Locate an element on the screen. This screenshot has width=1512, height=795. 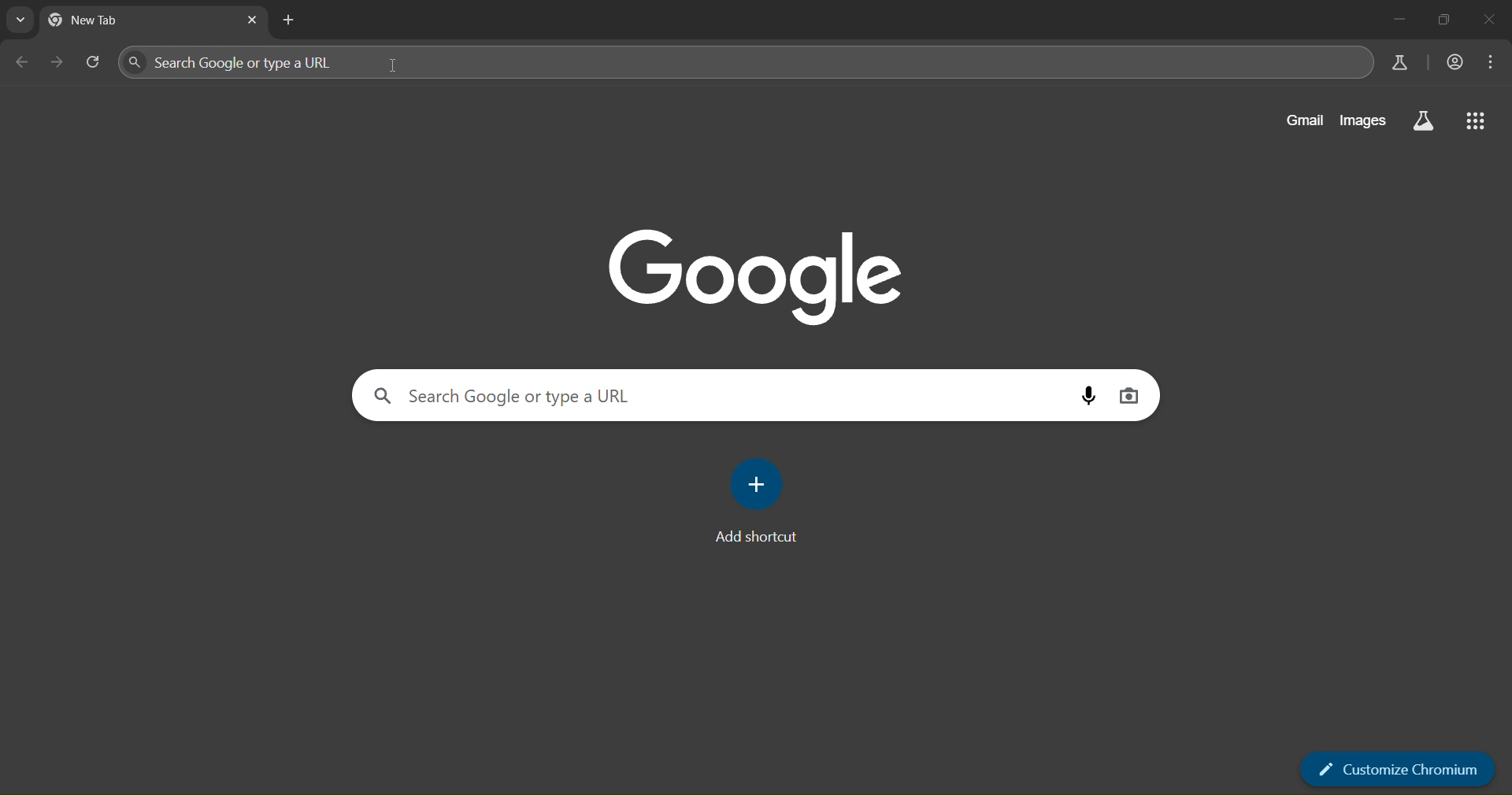
google apps is located at coordinates (1477, 119).